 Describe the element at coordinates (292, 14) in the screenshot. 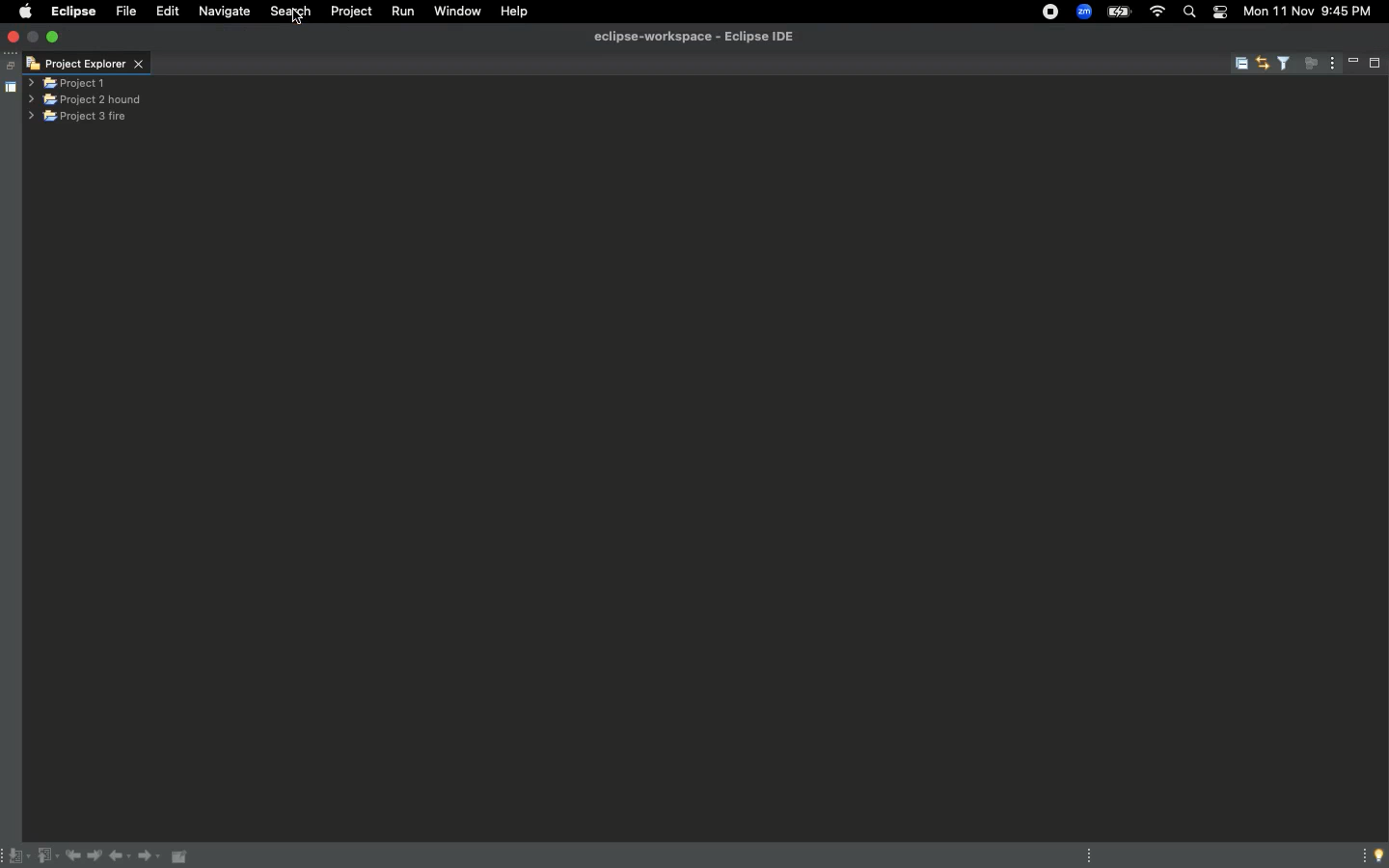

I see `Search` at that location.